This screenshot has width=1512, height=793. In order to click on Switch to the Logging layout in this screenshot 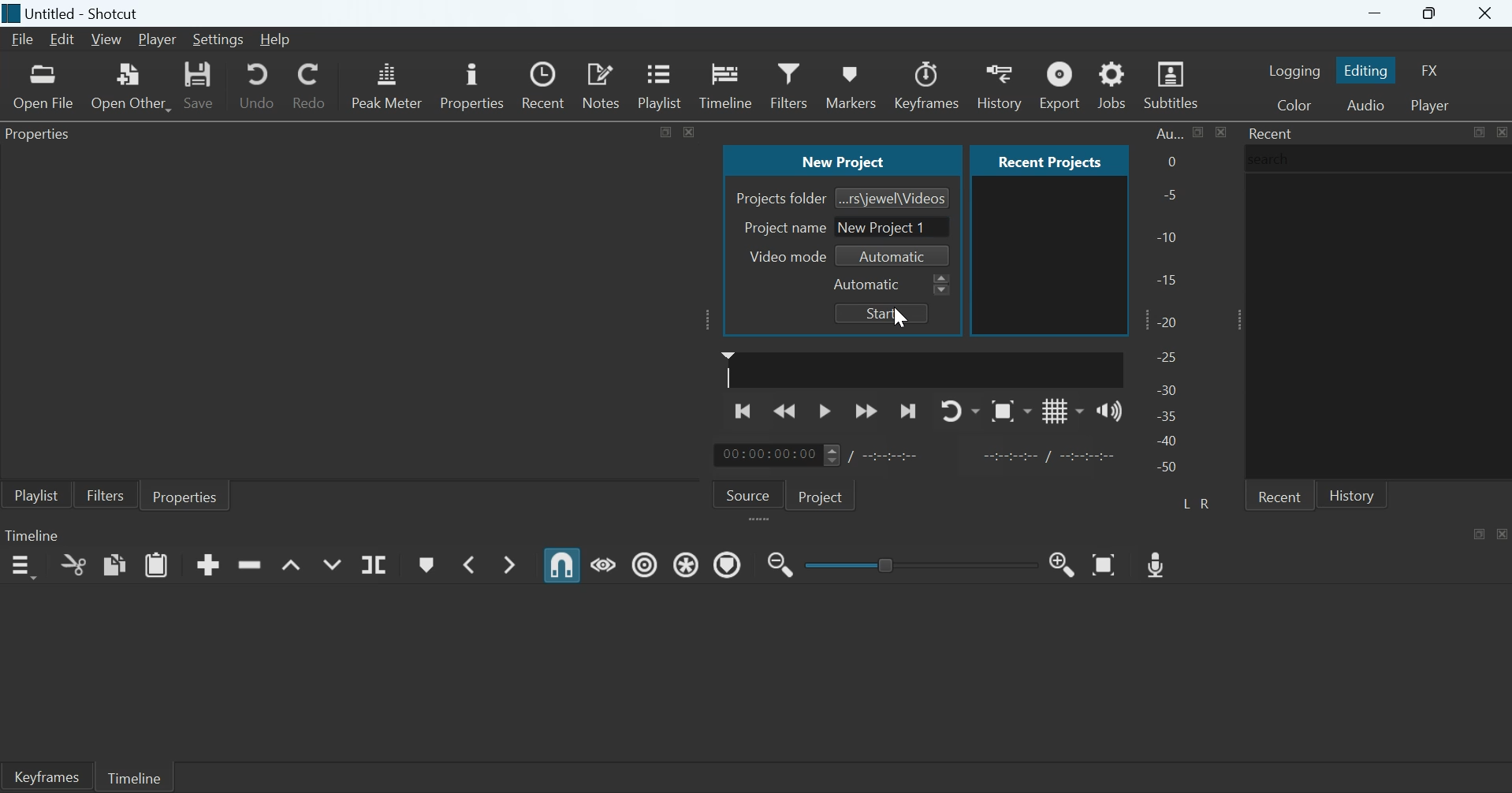, I will do `click(1294, 70)`.